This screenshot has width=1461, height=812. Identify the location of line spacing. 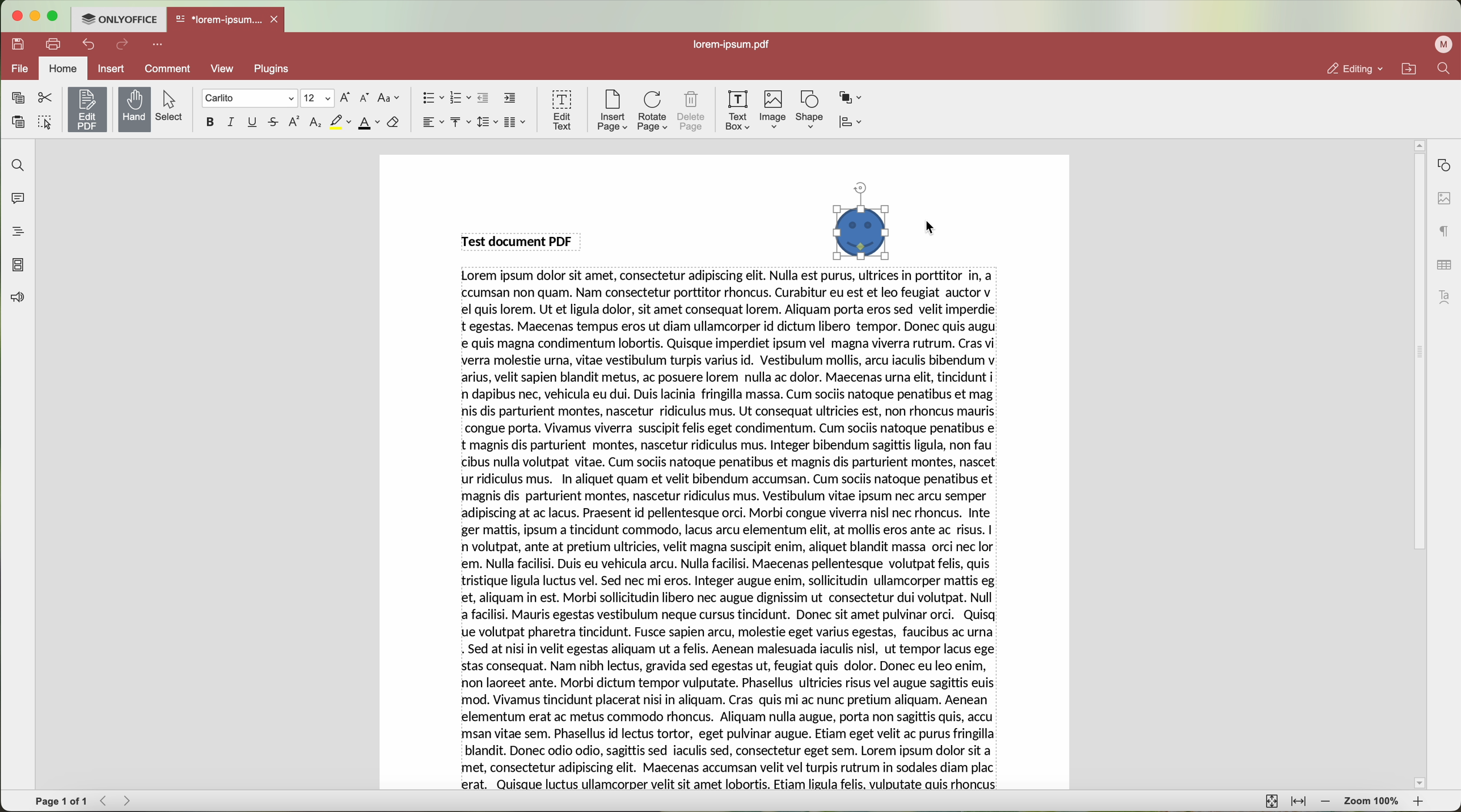
(485, 122).